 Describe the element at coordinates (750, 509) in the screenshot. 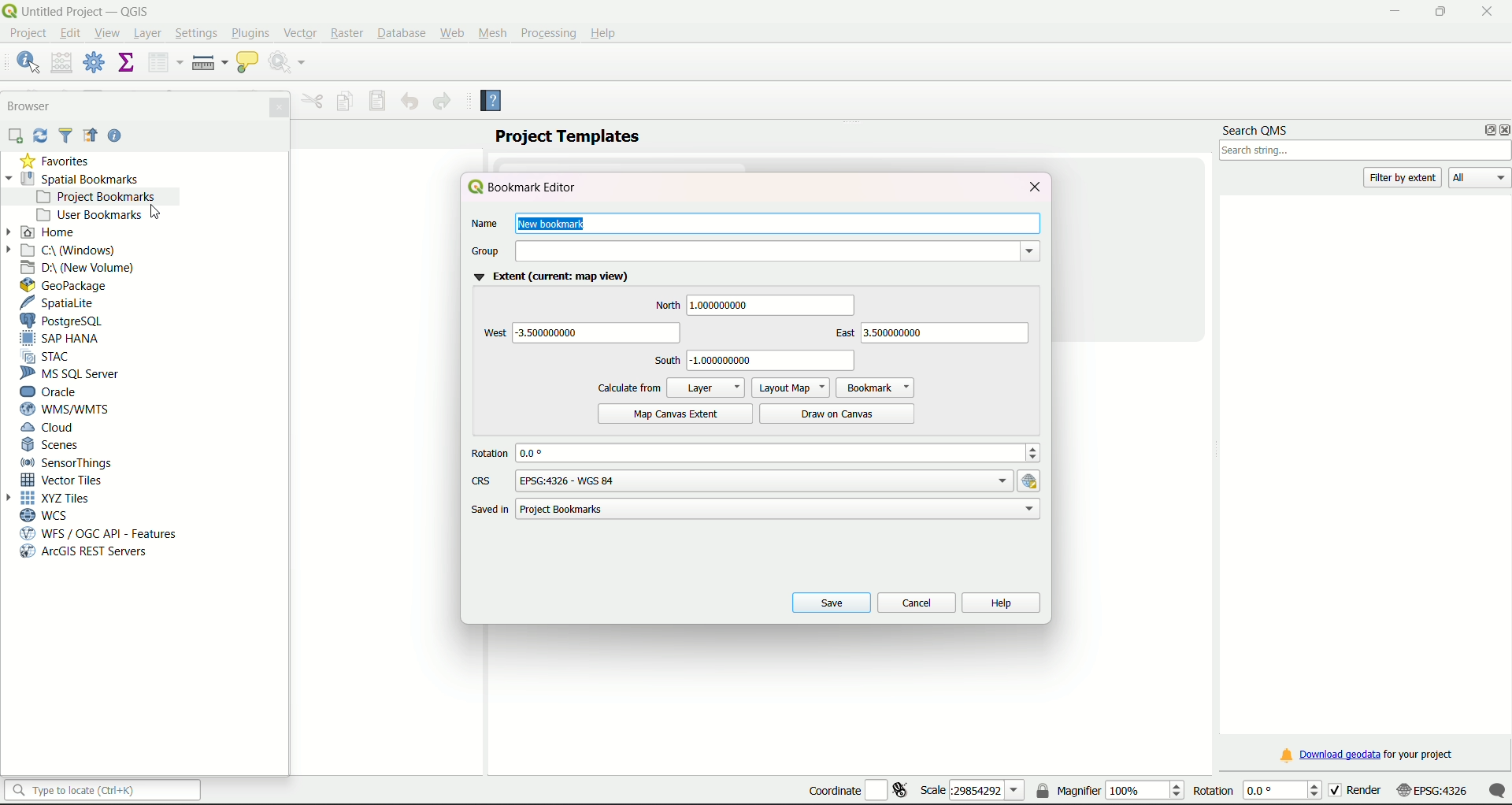

I see `path` at that location.